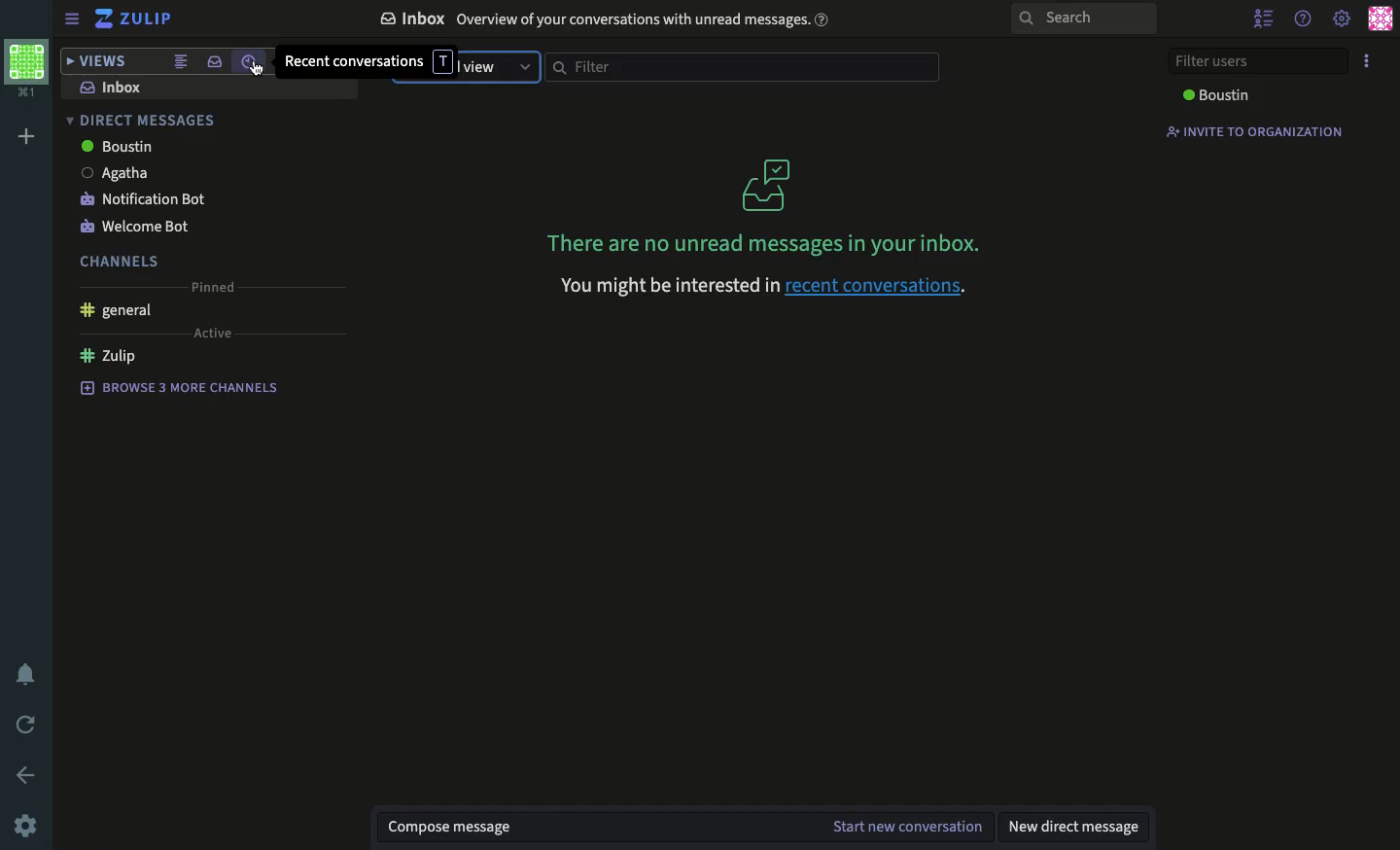  What do you see at coordinates (97, 62) in the screenshot?
I see `views` at bounding box center [97, 62].